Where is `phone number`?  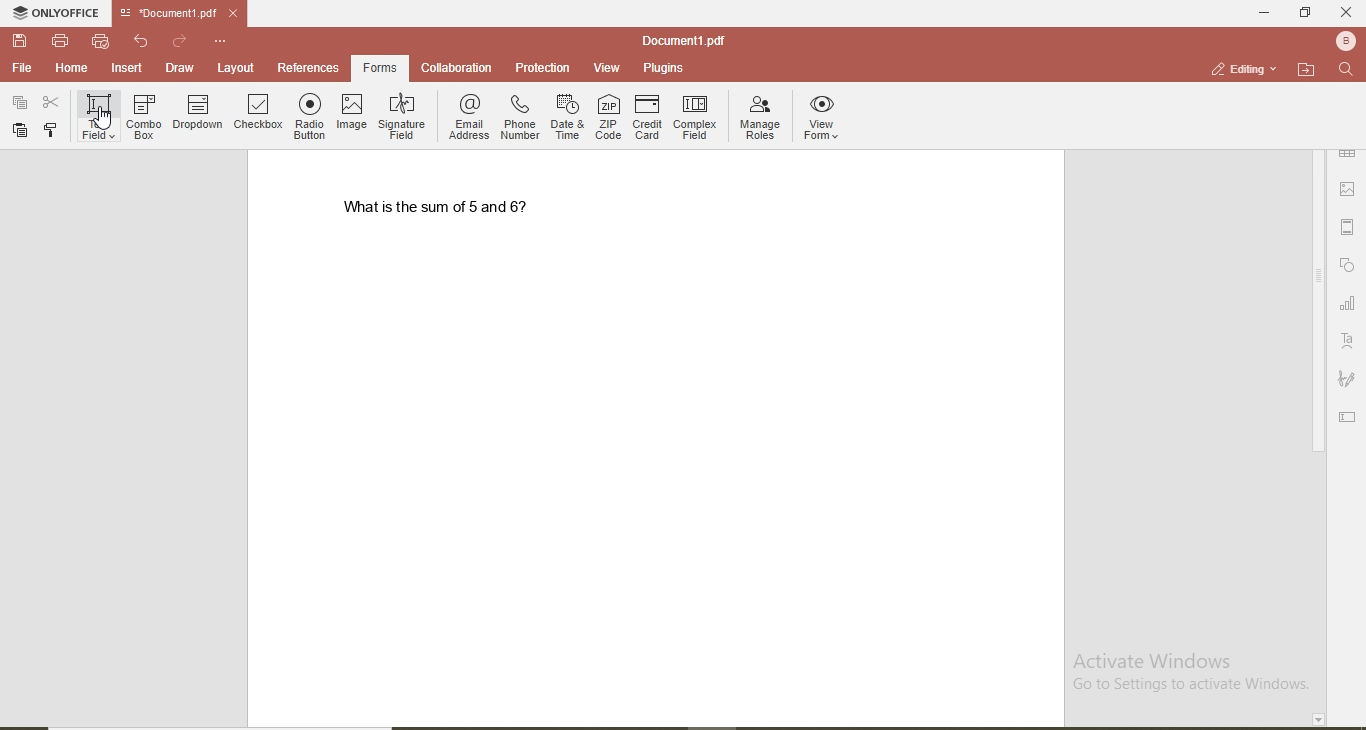
phone number is located at coordinates (519, 118).